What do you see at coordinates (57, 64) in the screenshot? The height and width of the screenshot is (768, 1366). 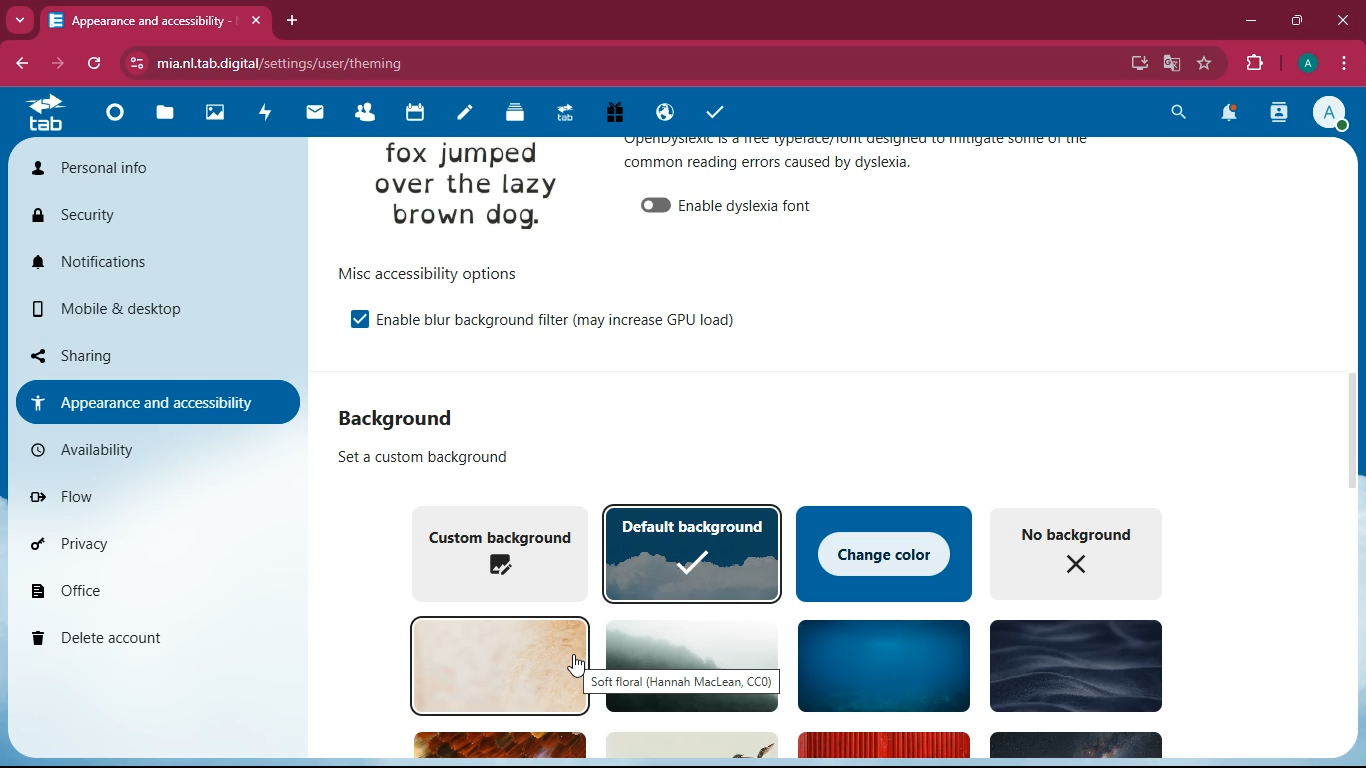 I see `forward` at bounding box center [57, 64].